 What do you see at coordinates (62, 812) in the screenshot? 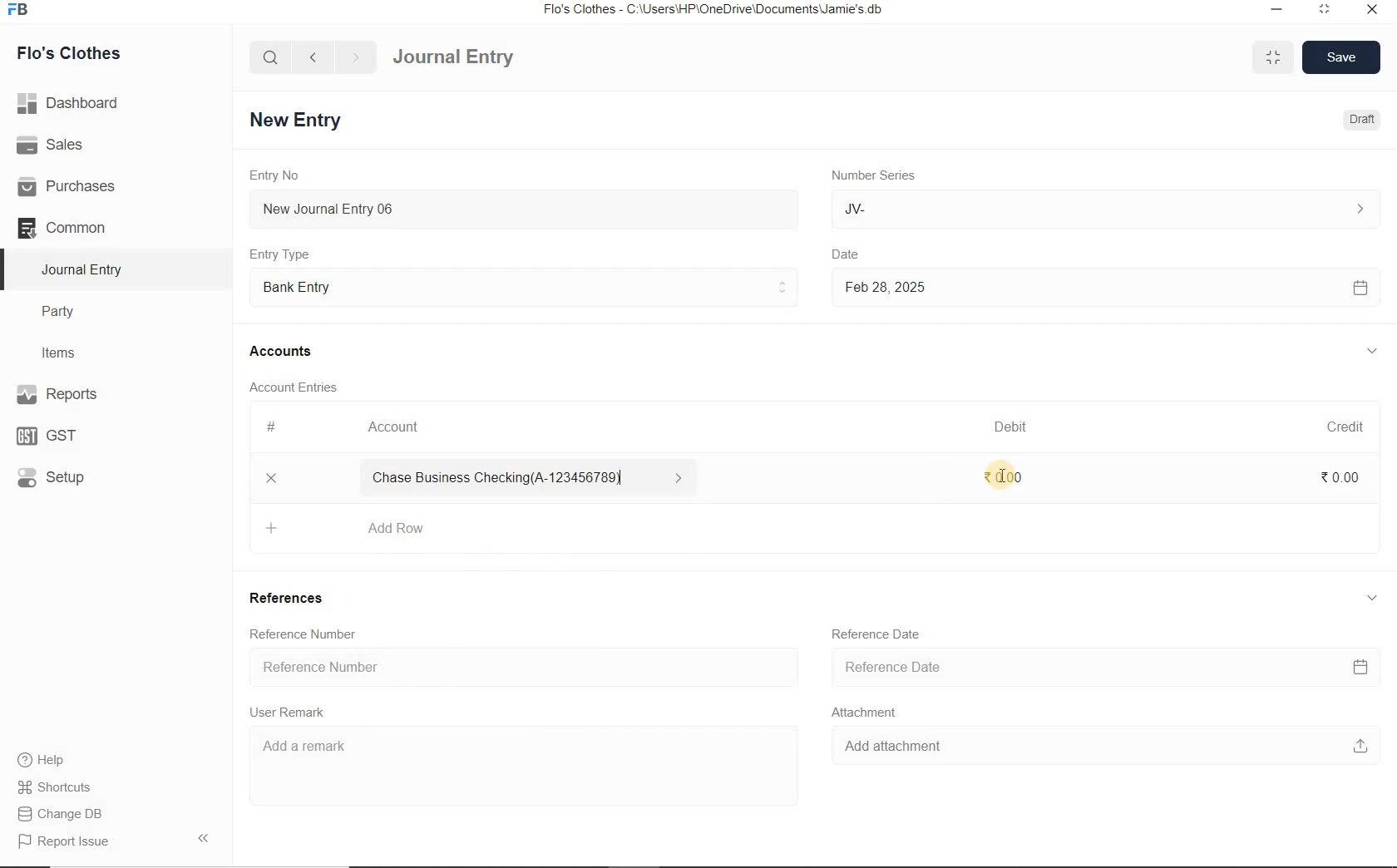
I see `Change DB` at bounding box center [62, 812].